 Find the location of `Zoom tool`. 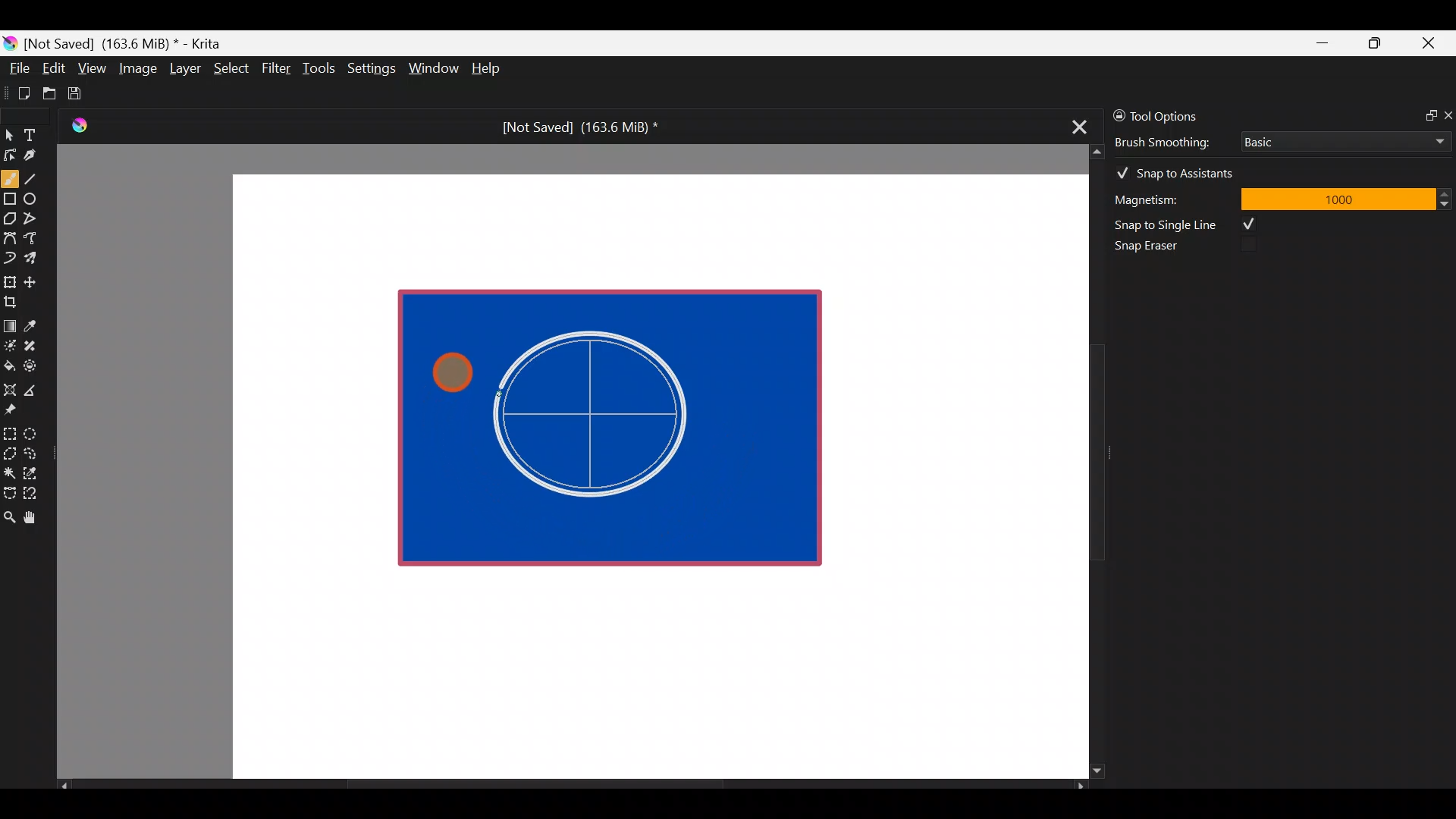

Zoom tool is located at coordinates (9, 516).